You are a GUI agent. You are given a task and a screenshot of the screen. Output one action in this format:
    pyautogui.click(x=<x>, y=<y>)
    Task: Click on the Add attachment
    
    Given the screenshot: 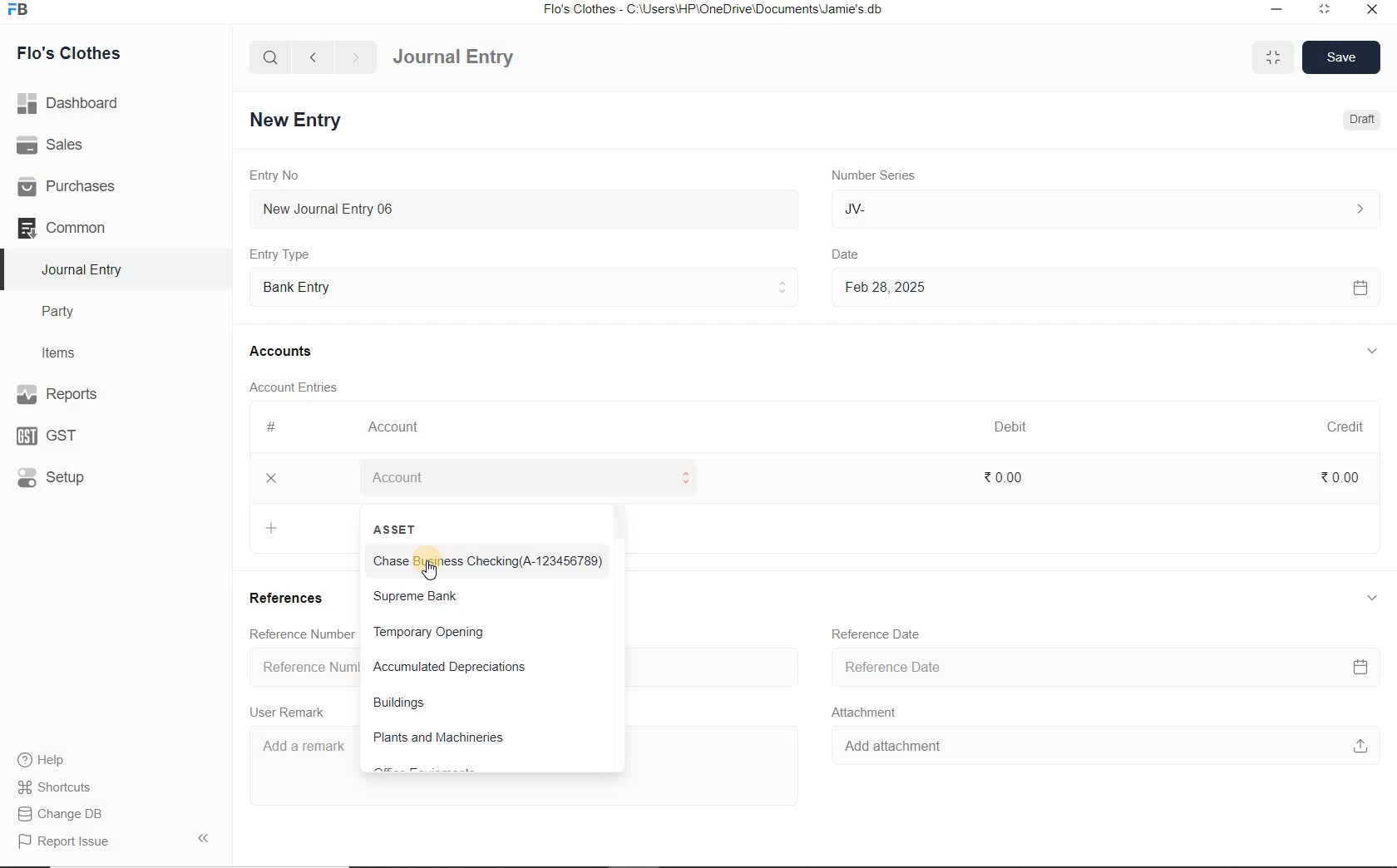 What is the action you would take?
    pyautogui.click(x=1105, y=745)
    